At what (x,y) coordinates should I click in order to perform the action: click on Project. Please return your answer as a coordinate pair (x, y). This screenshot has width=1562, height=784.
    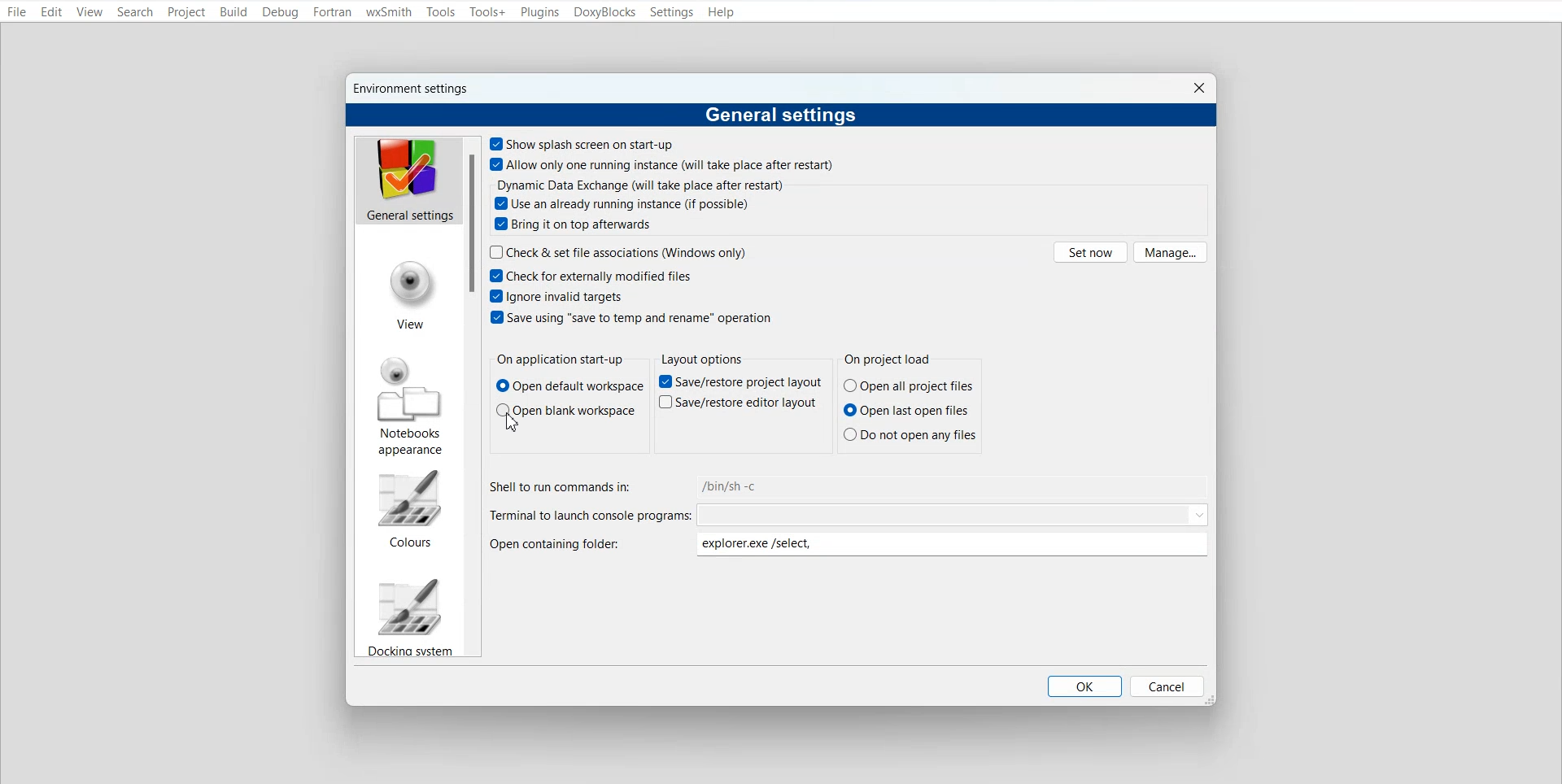
    Looking at the image, I should click on (187, 12).